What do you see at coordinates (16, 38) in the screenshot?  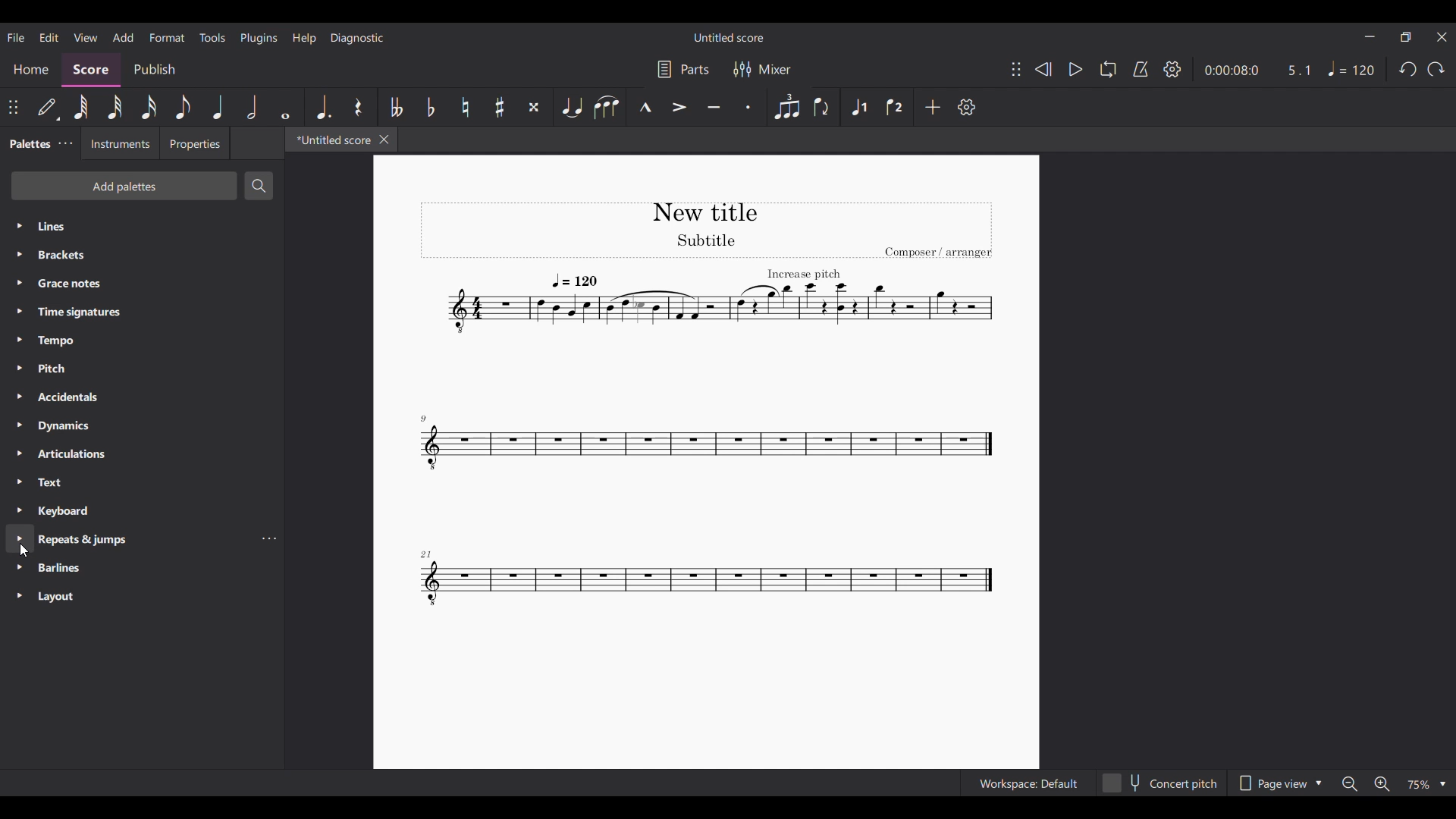 I see `File menu` at bounding box center [16, 38].